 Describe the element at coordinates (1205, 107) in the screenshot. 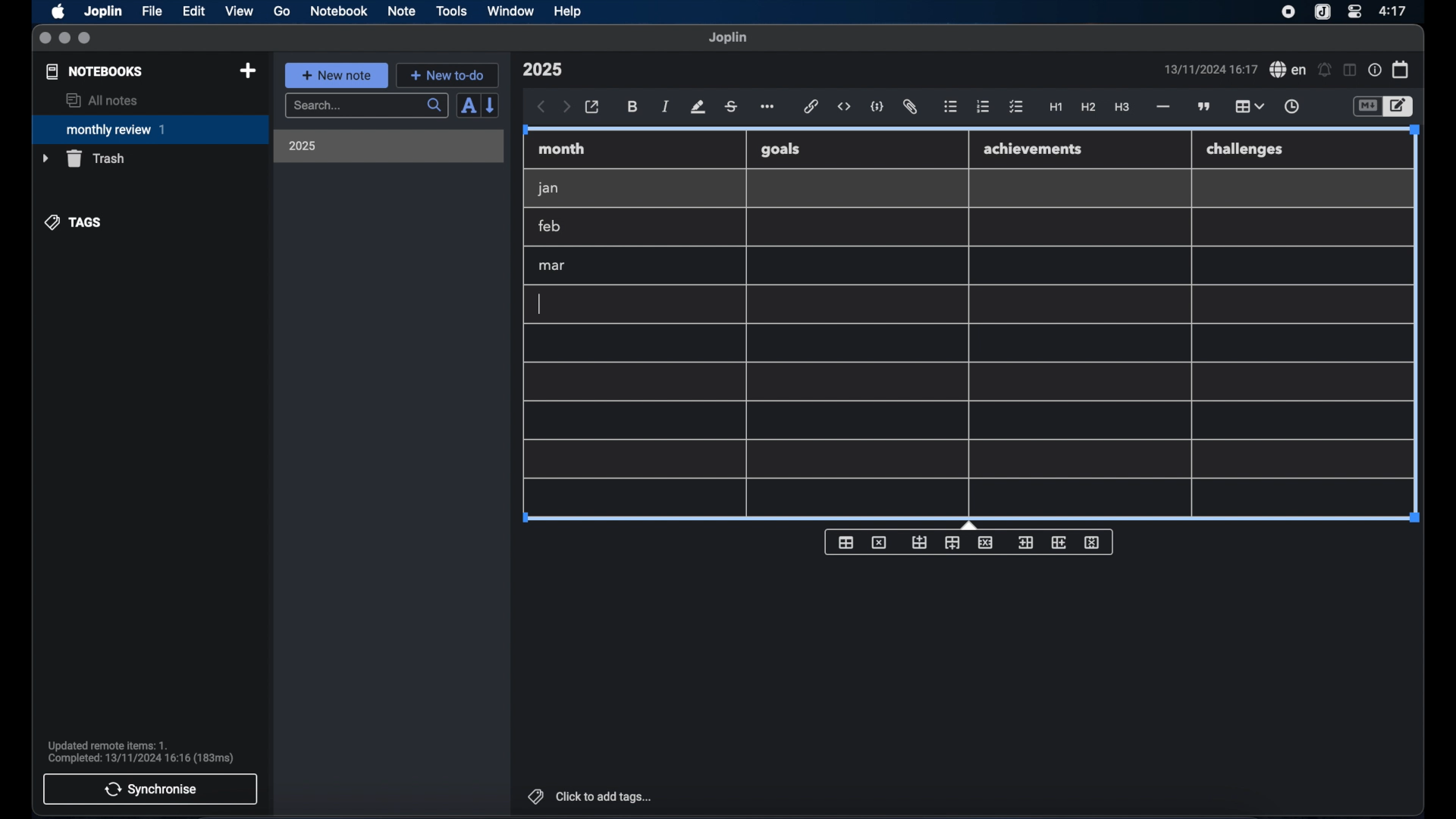

I see `block quotes` at that location.